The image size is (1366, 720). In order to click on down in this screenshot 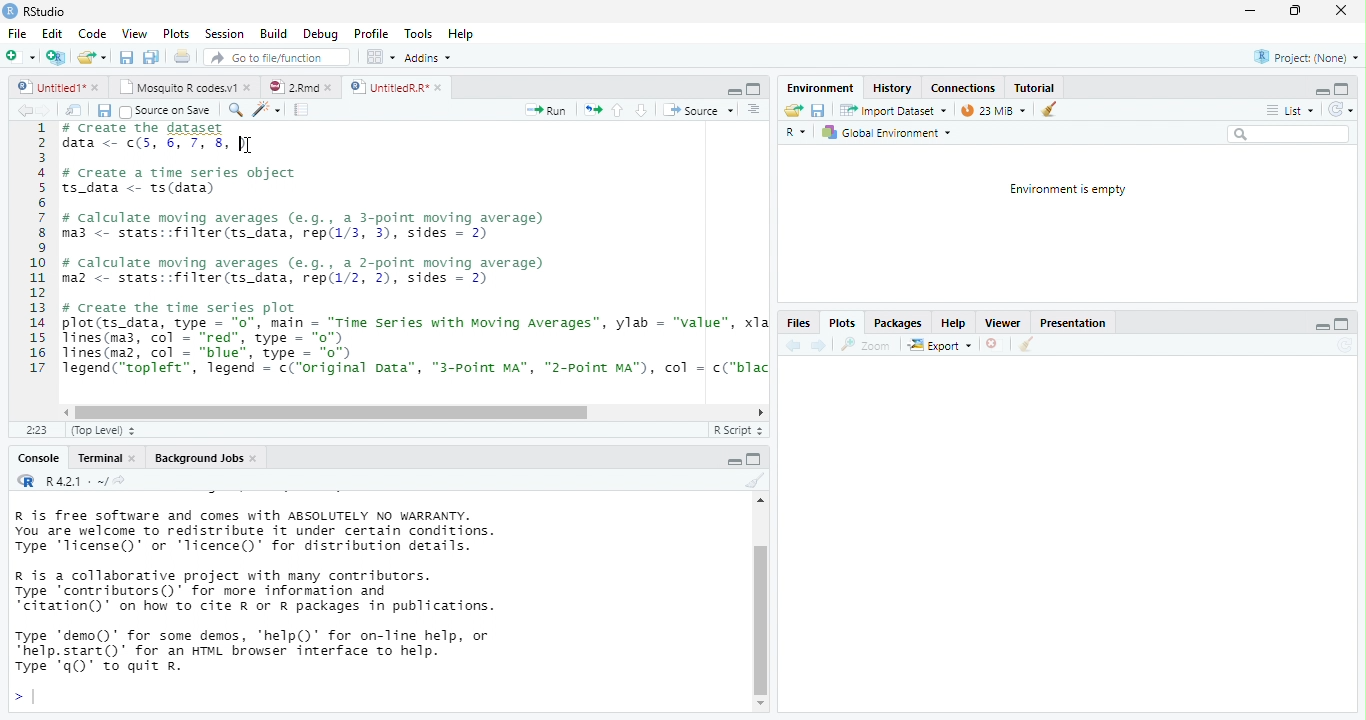, I will do `click(641, 110)`.